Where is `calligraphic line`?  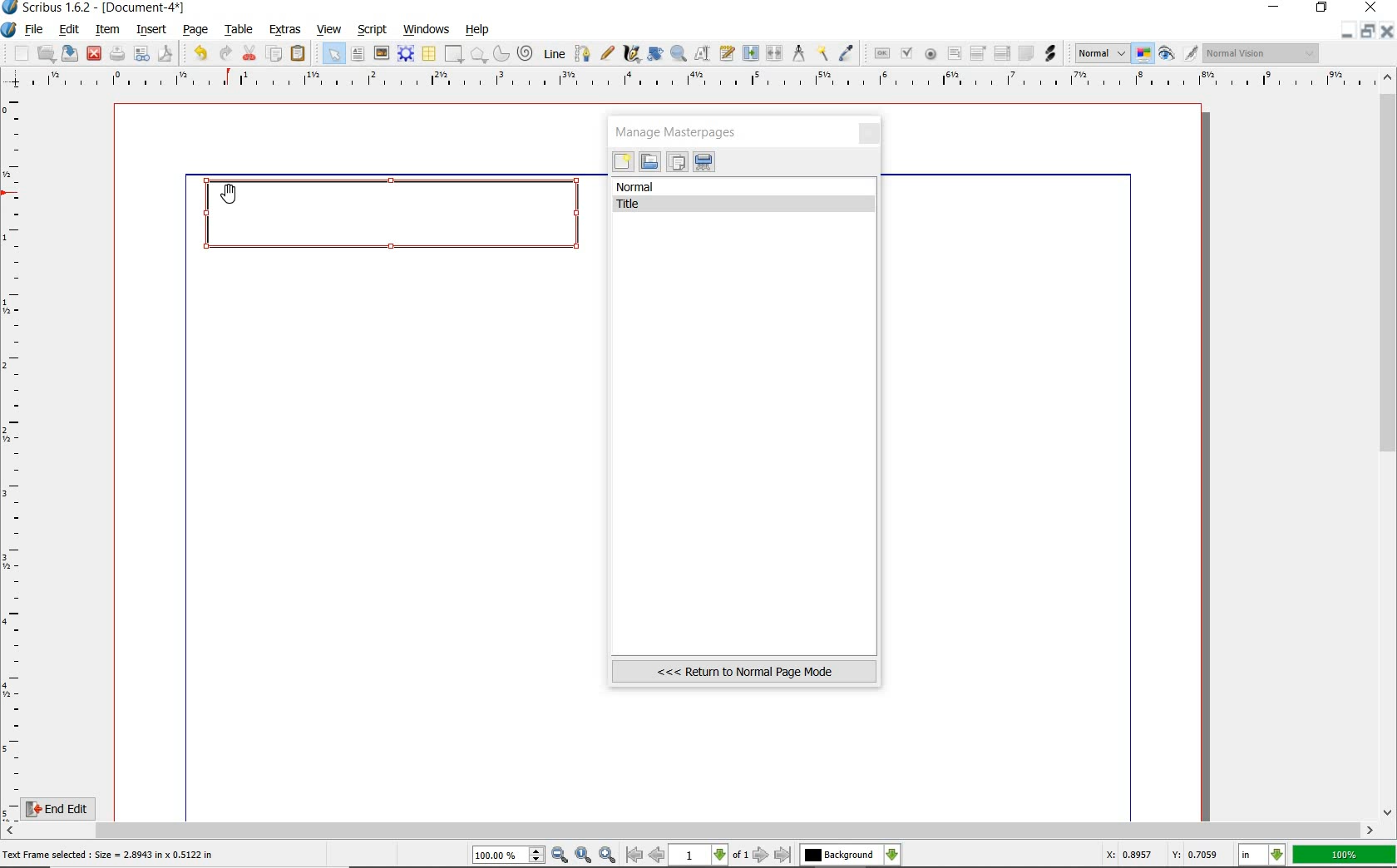
calligraphic line is located at coordinates (631, 54).